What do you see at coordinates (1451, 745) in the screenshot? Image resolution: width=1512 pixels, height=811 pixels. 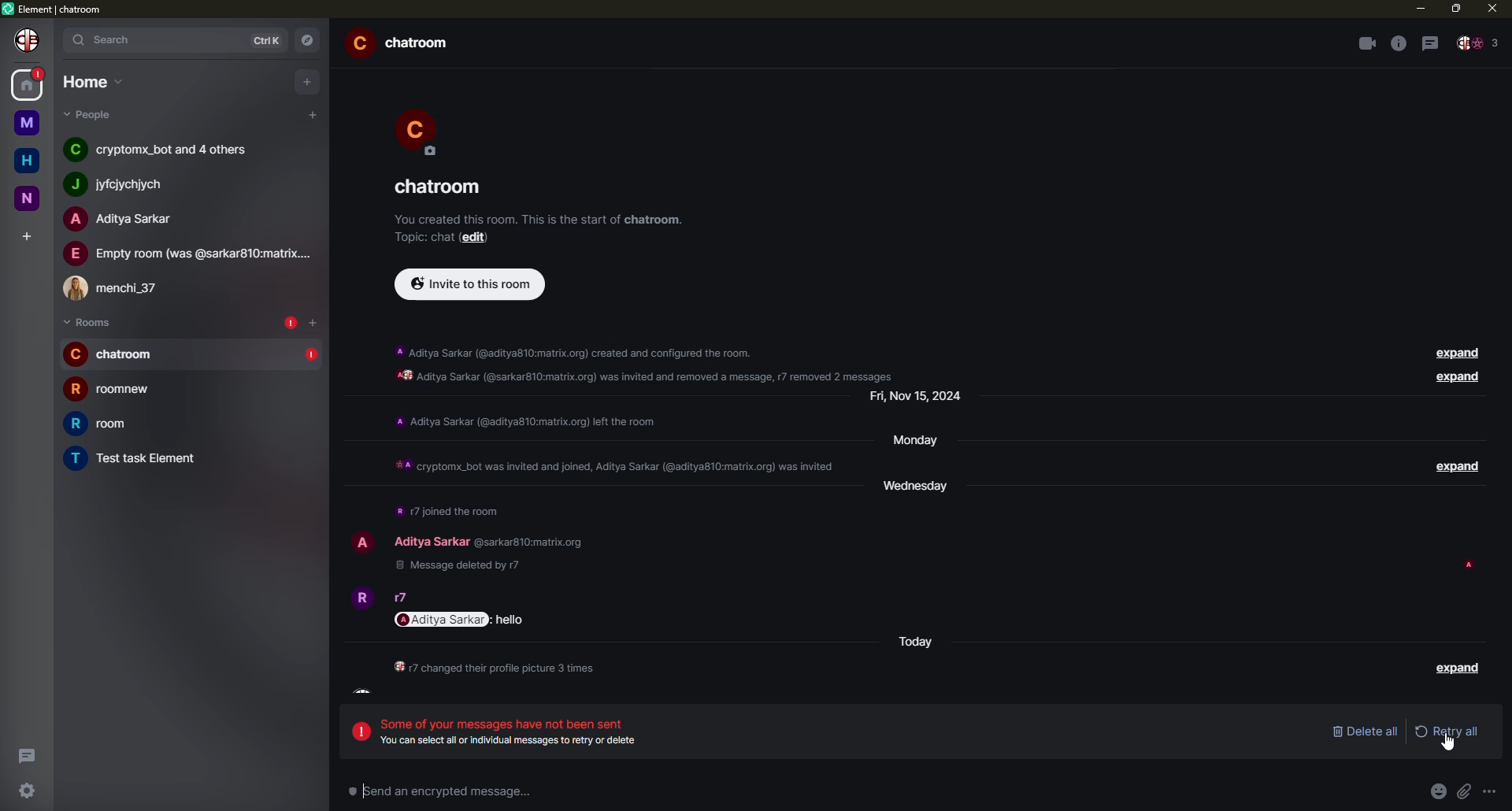 I see `cursor` at bounding box center [1451, 745].